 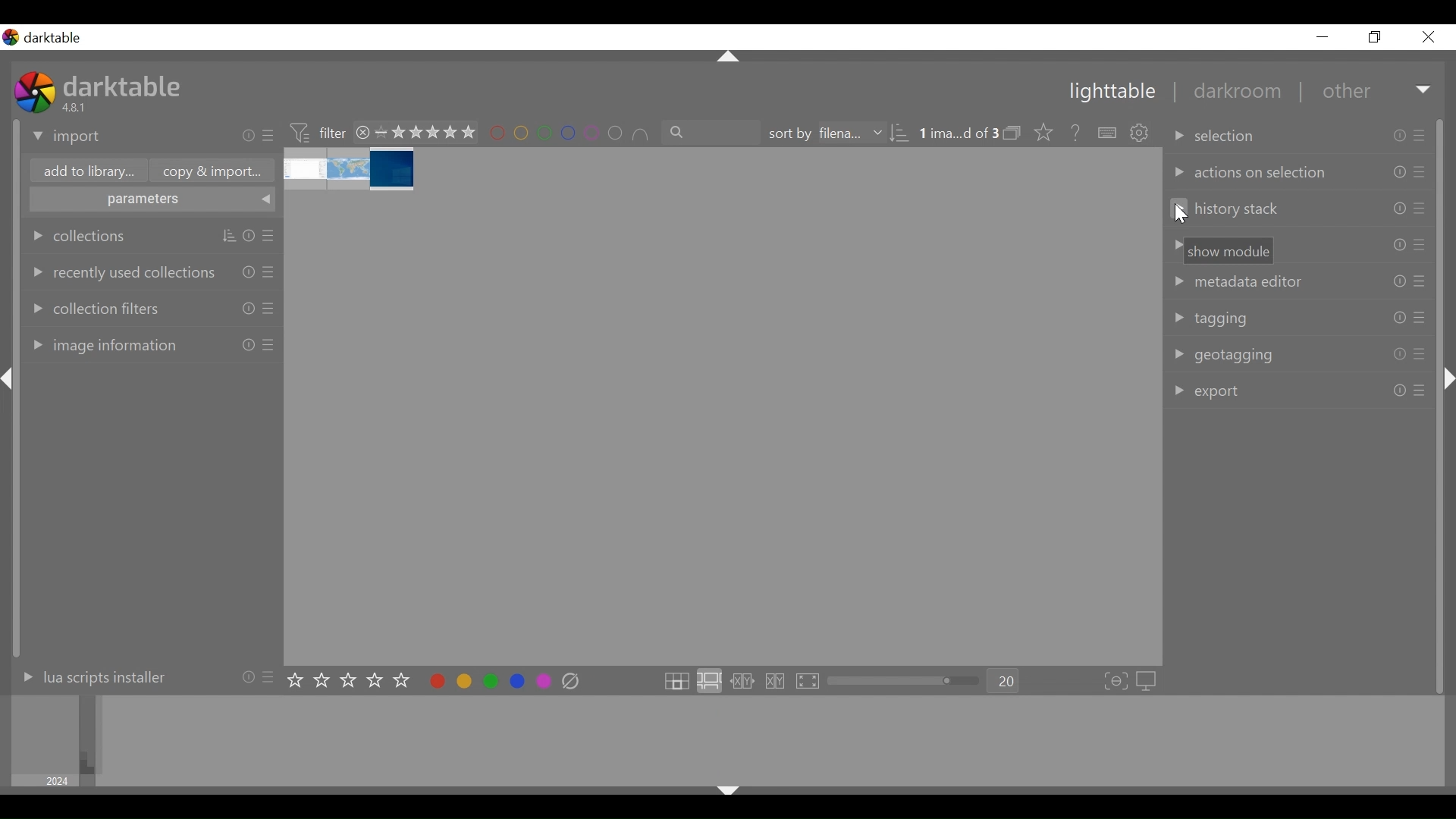 What do you see at coordinates (1148, 681) in the screenshot?
I see `set display profile` at bounding box center [1148, 681].